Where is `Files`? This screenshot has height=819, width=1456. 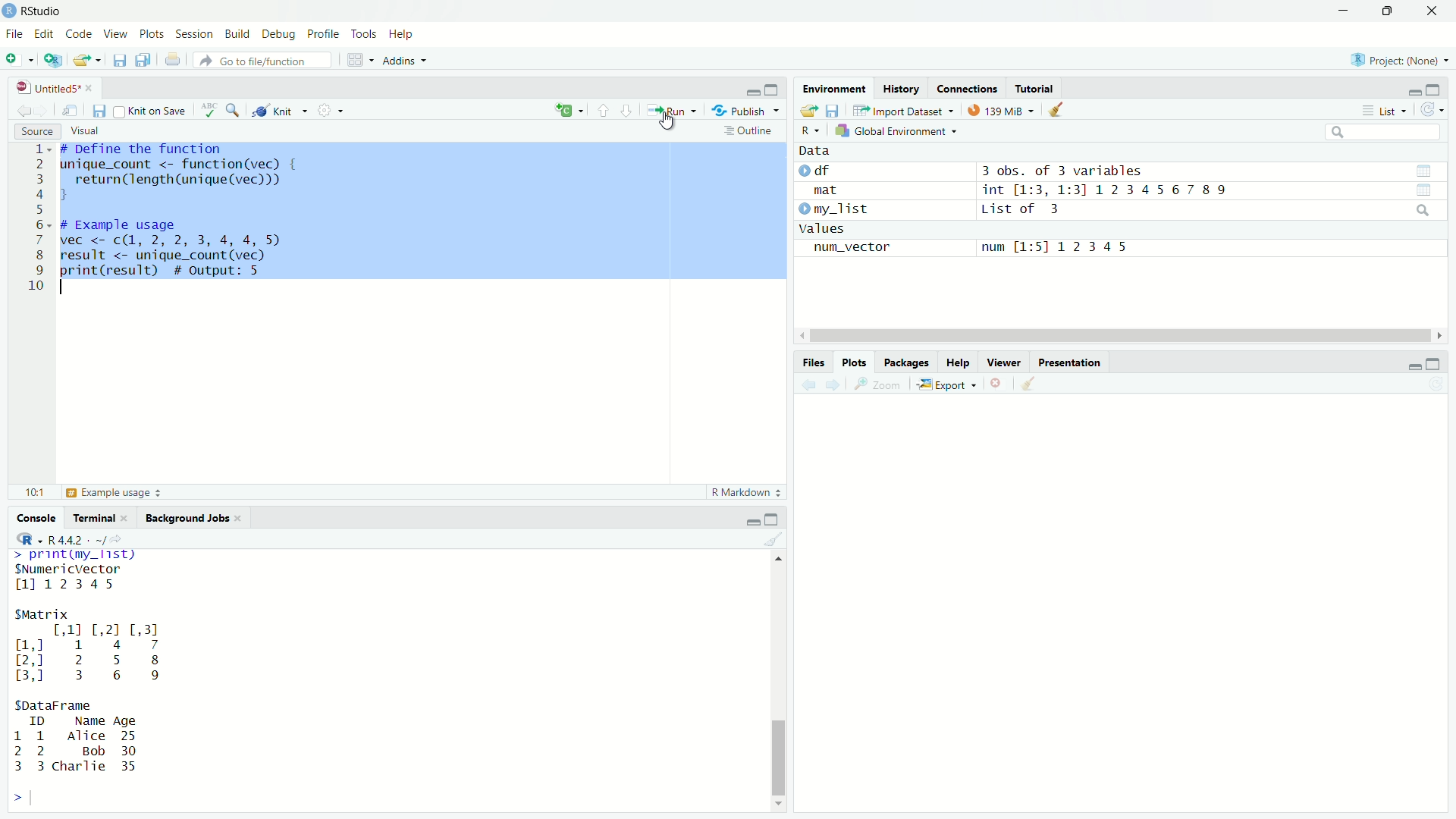 Files is located at coordinates (813, 363).